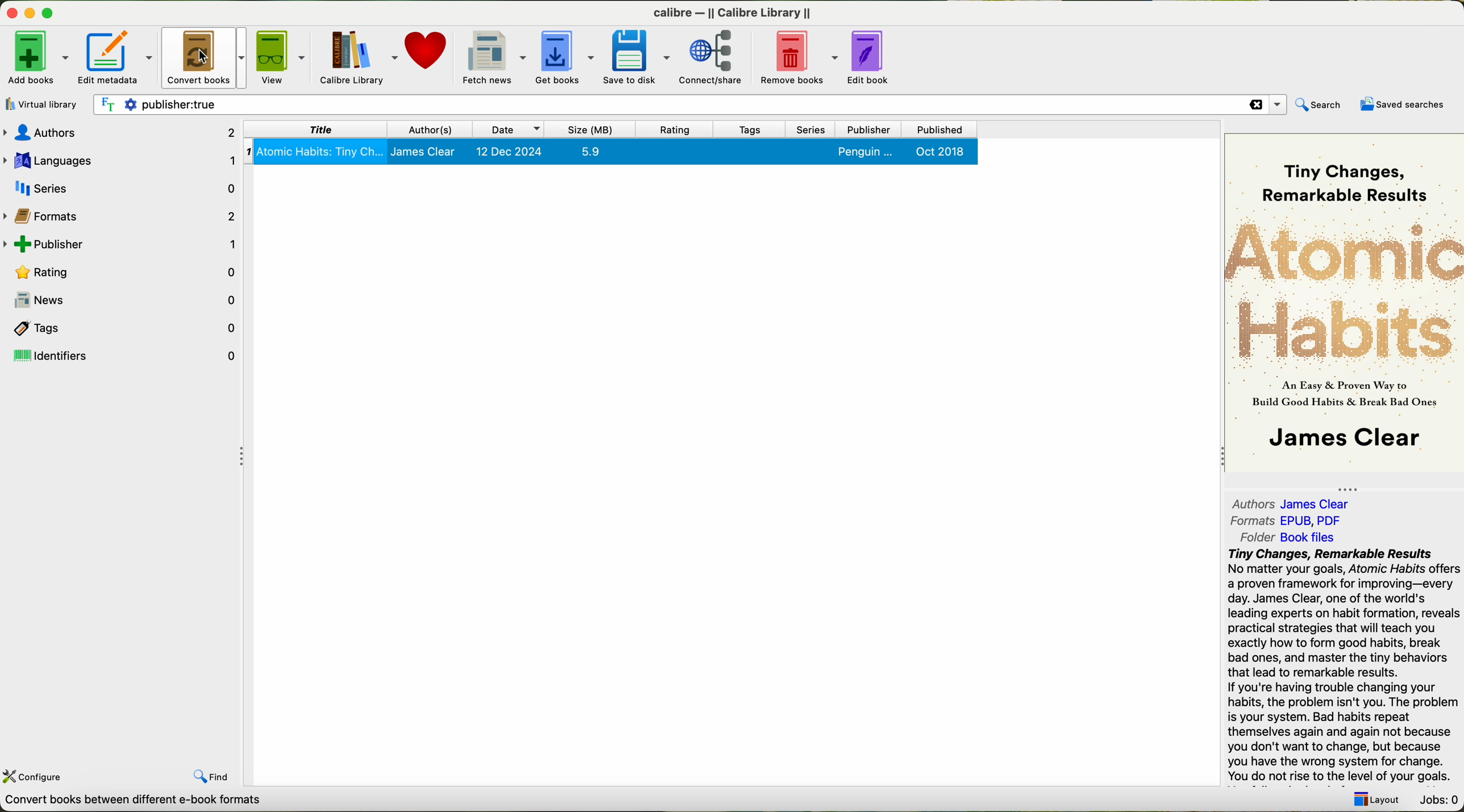 Image resolution: width=1464 pixels, height=812 pixels. What do you see at coordinates (589, 129) in the screenshot?
I see `size` at bounding box center [589, 129].